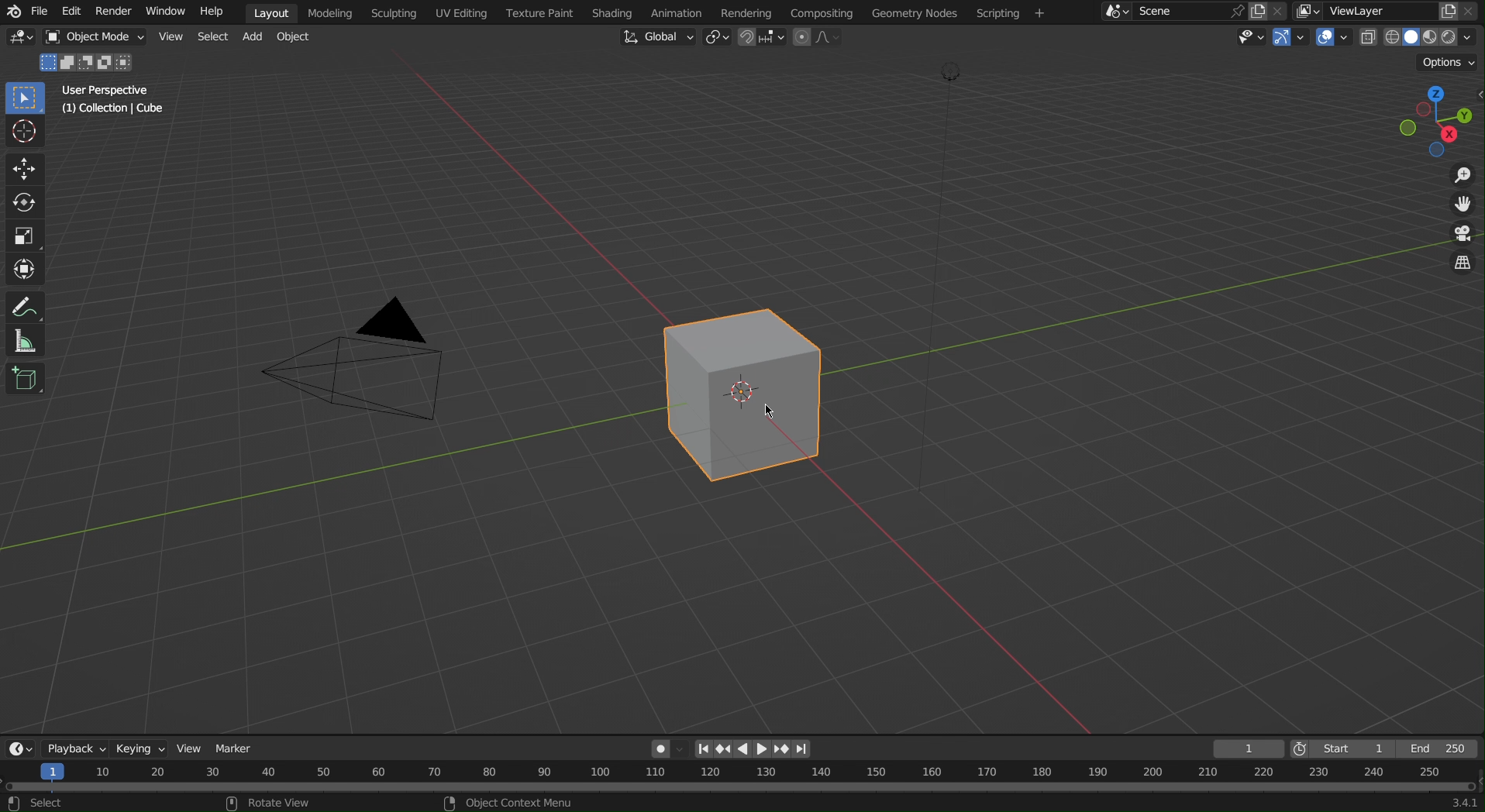 The width and height of the screenshot is (1485, 812). Describe the element at coordinates (25, 379) in the screenshot. I see `Add Cube` at that location.